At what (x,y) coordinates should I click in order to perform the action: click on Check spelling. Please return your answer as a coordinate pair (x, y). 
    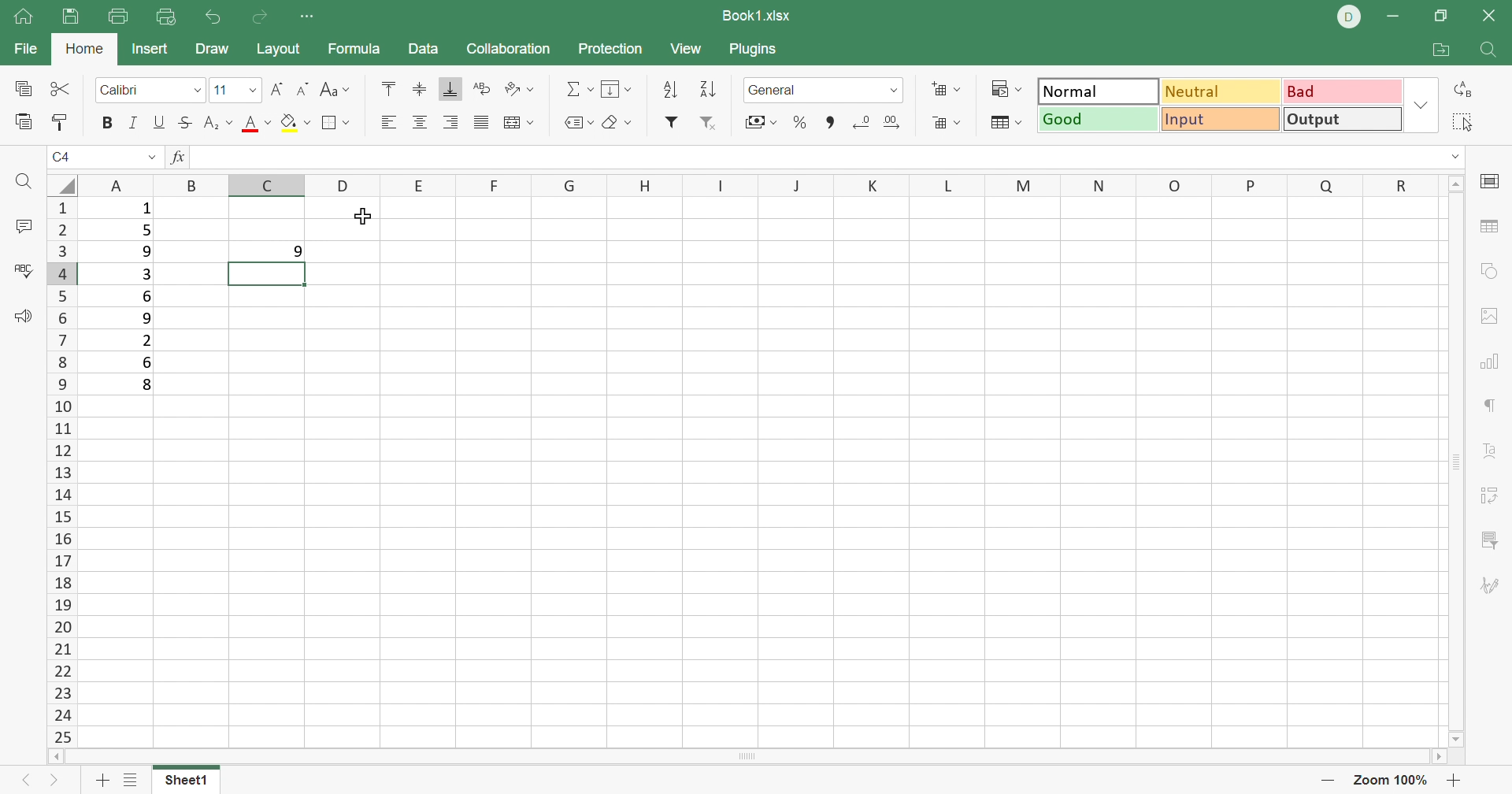
    Looking at the image, I should click on (26, 273).